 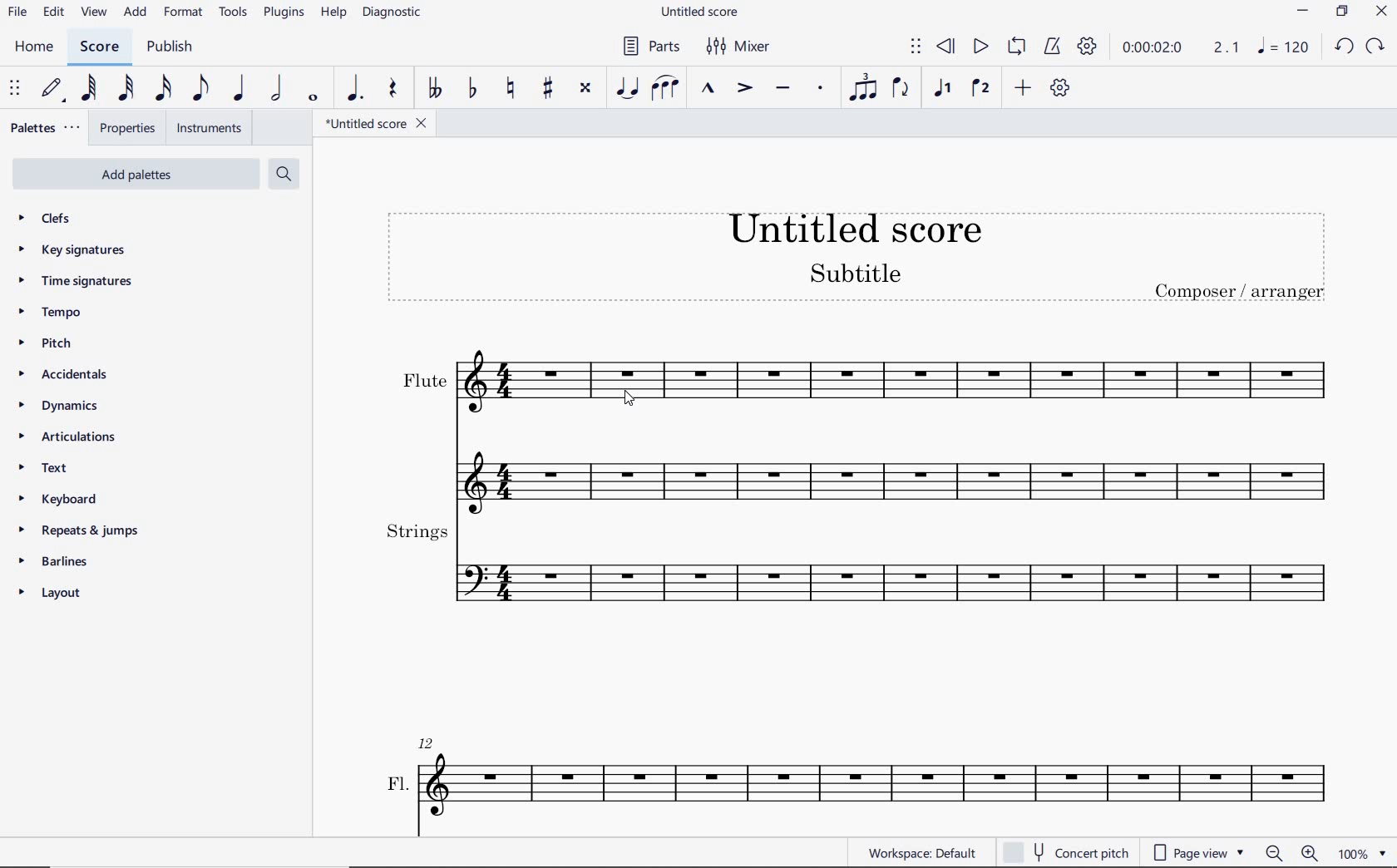 I want to click on PARTS, so click(x=654, y=47).